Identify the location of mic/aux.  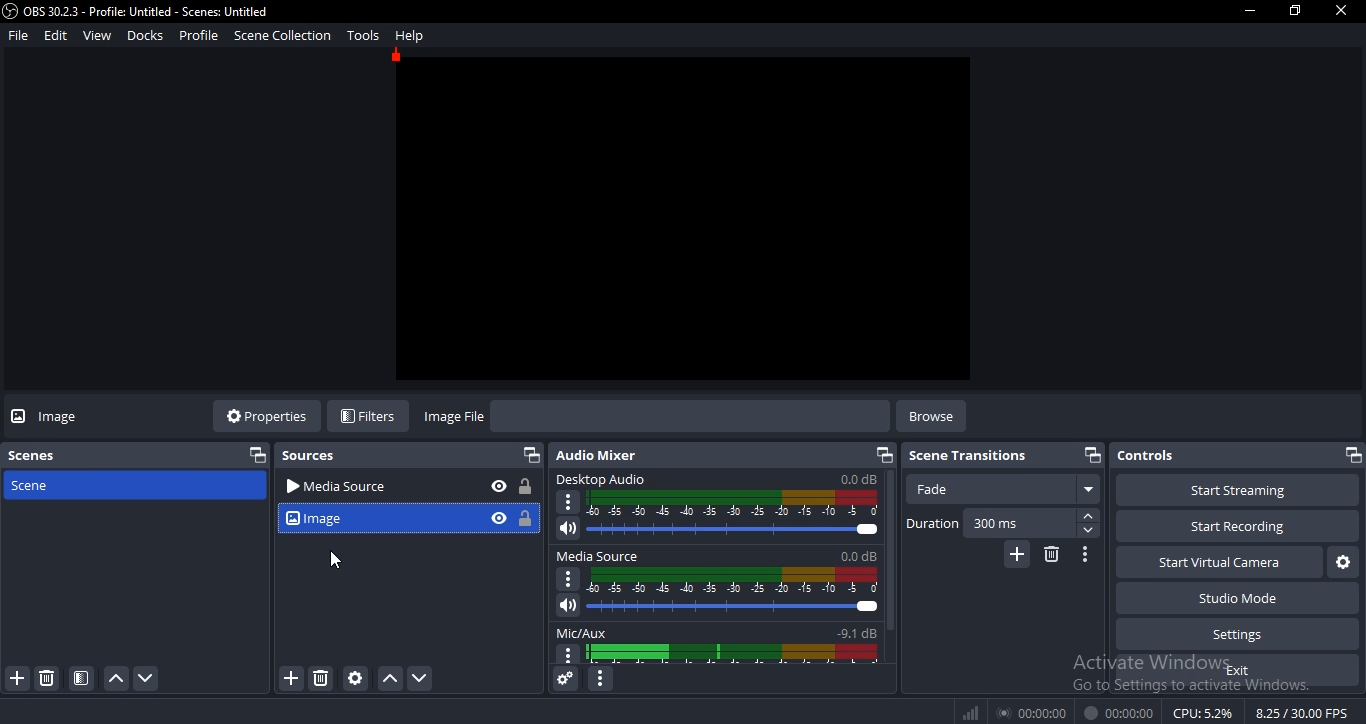
(717, 631).